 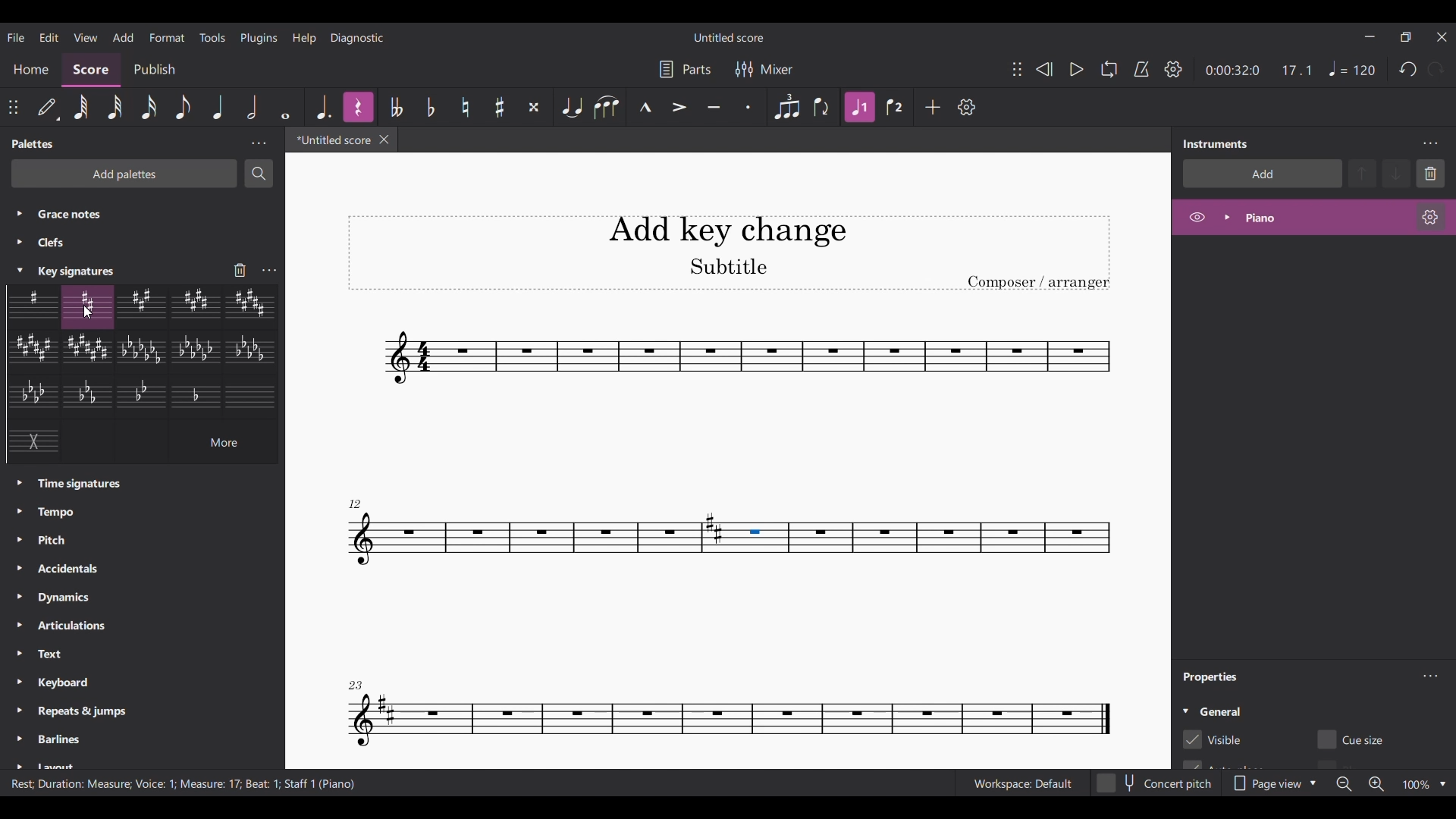 I want to click on Show/Hide settings, so click(x=1174, y=69).